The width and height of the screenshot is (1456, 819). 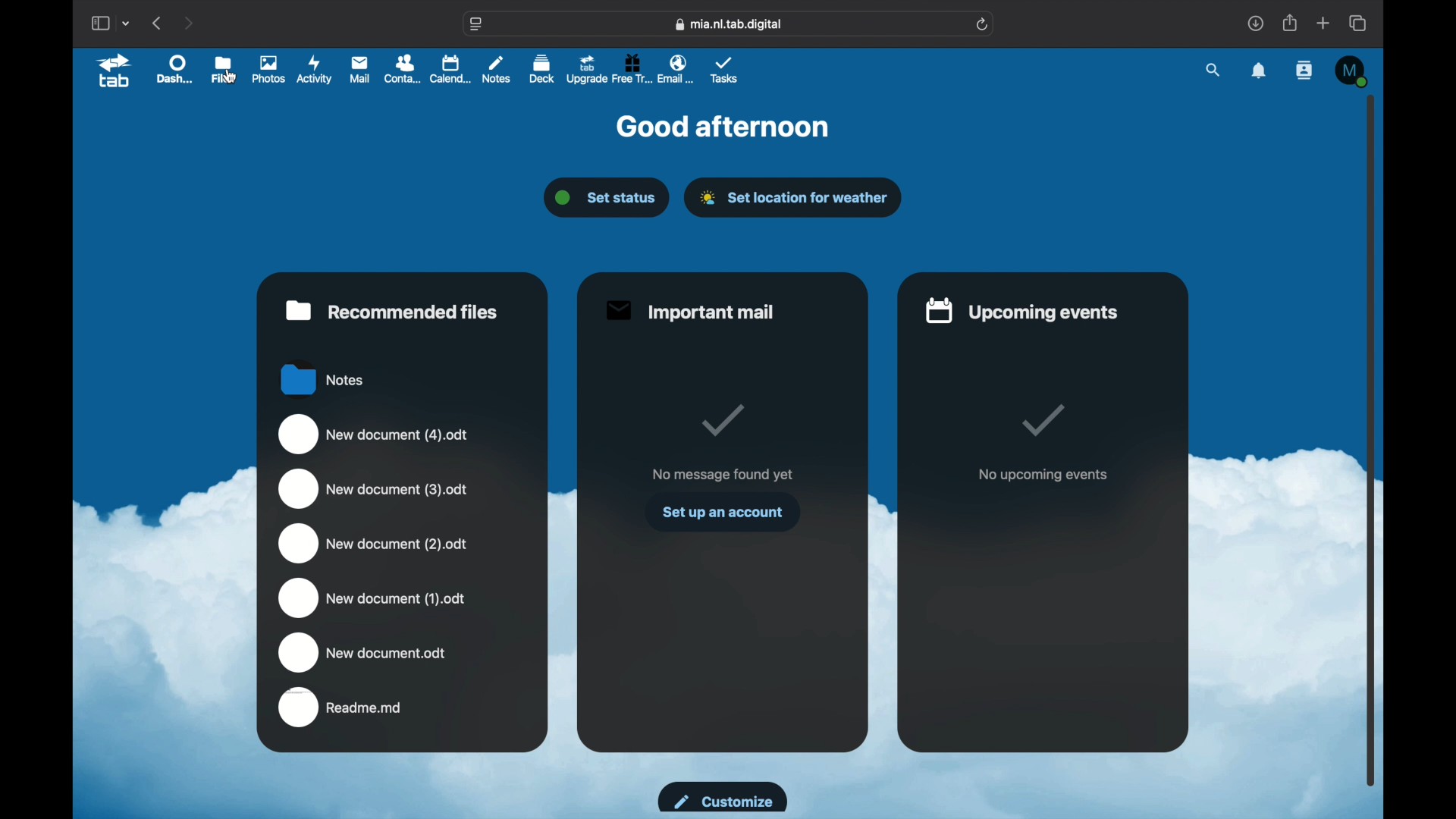 I want to click on customize, so click(x=723, y=798).